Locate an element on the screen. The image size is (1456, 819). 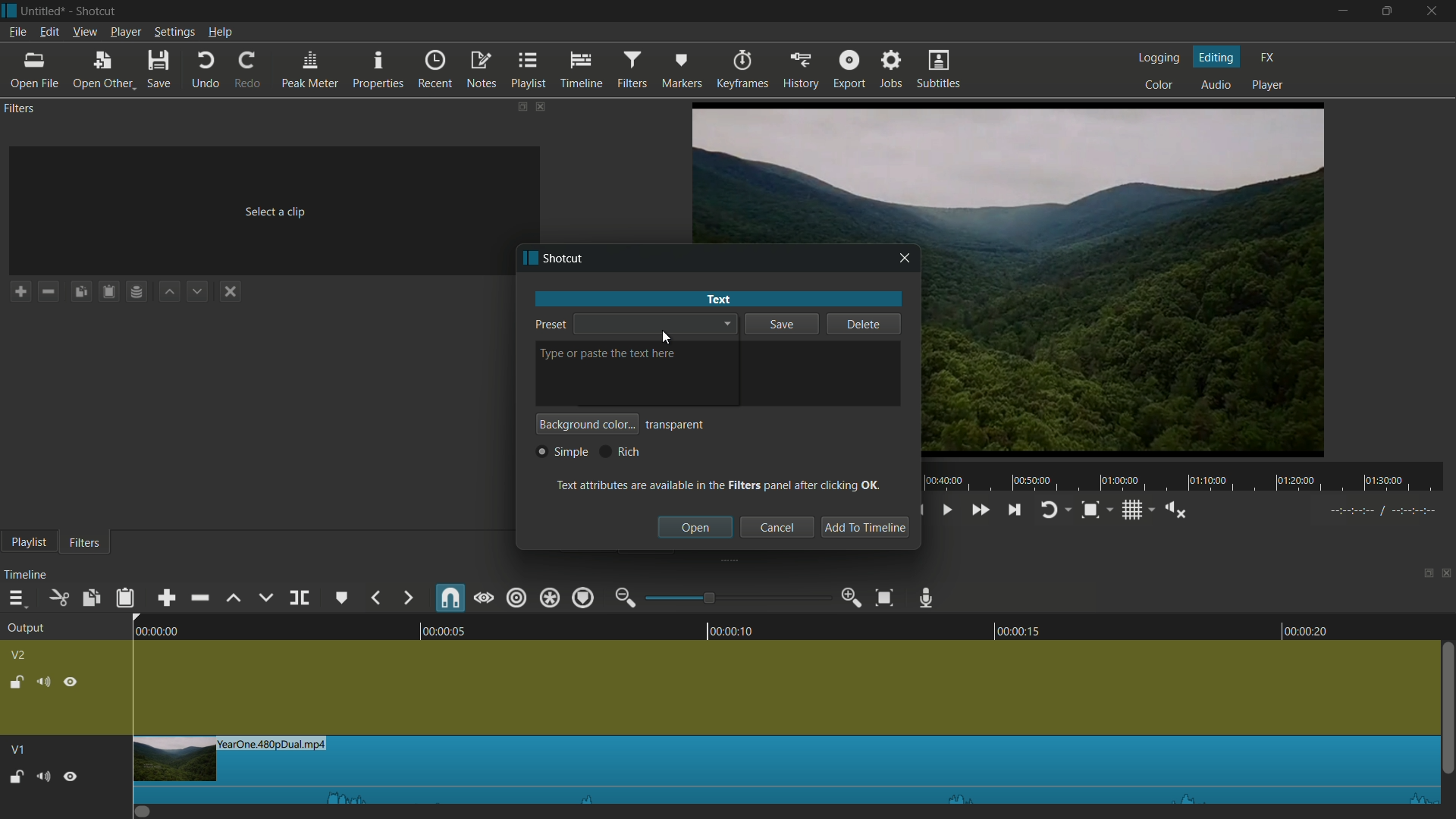
simple is located at coordinates (562, 452).